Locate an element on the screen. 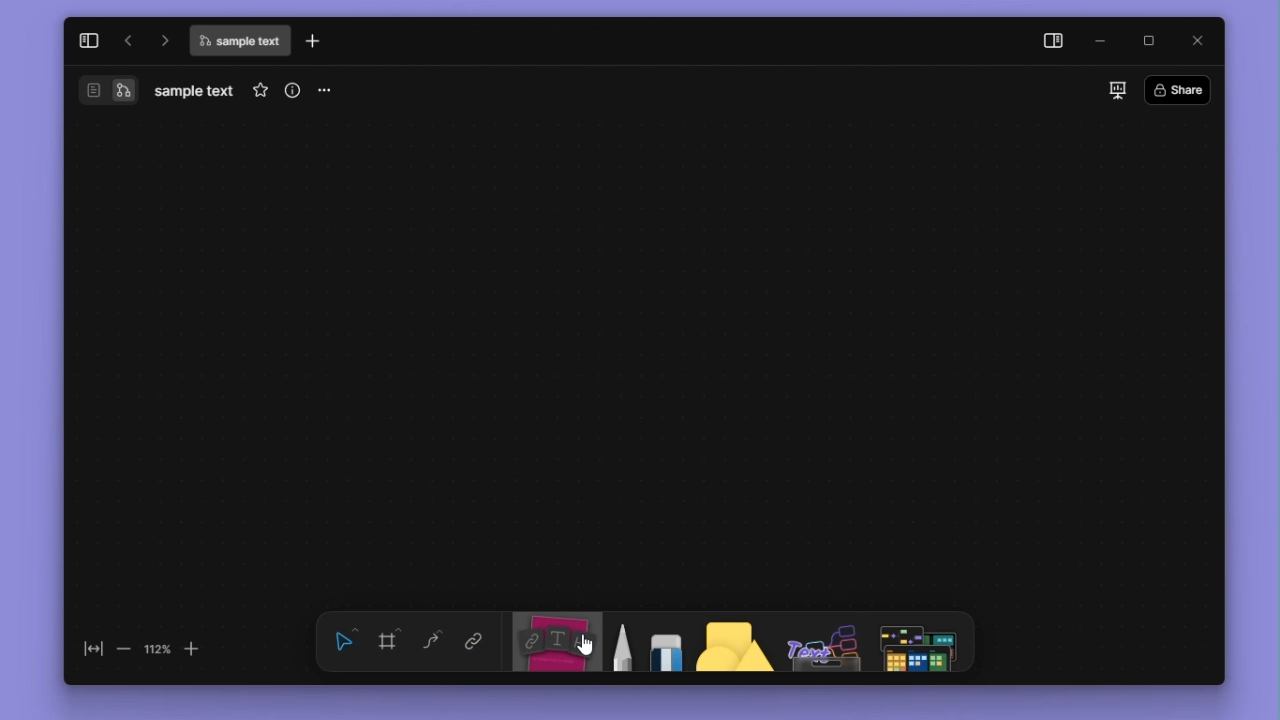 This screenshot has width=1280, height=720. zoom out is located at coordinates (125, 650).